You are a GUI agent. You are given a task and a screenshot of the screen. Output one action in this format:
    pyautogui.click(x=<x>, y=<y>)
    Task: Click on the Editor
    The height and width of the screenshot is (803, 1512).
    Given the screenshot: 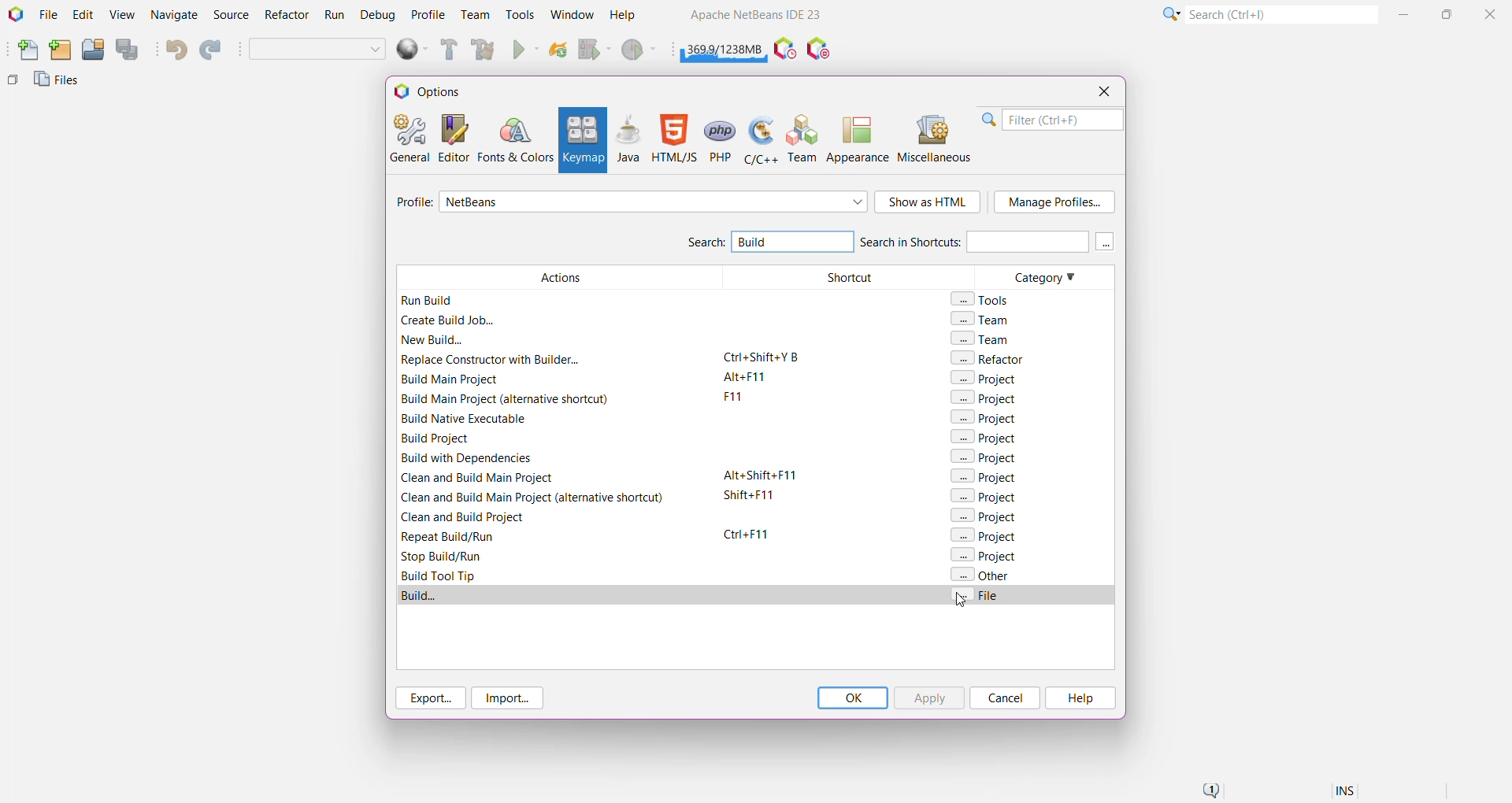 What is the action you would take?
    pyautogui.click(x=450, y=138)
    